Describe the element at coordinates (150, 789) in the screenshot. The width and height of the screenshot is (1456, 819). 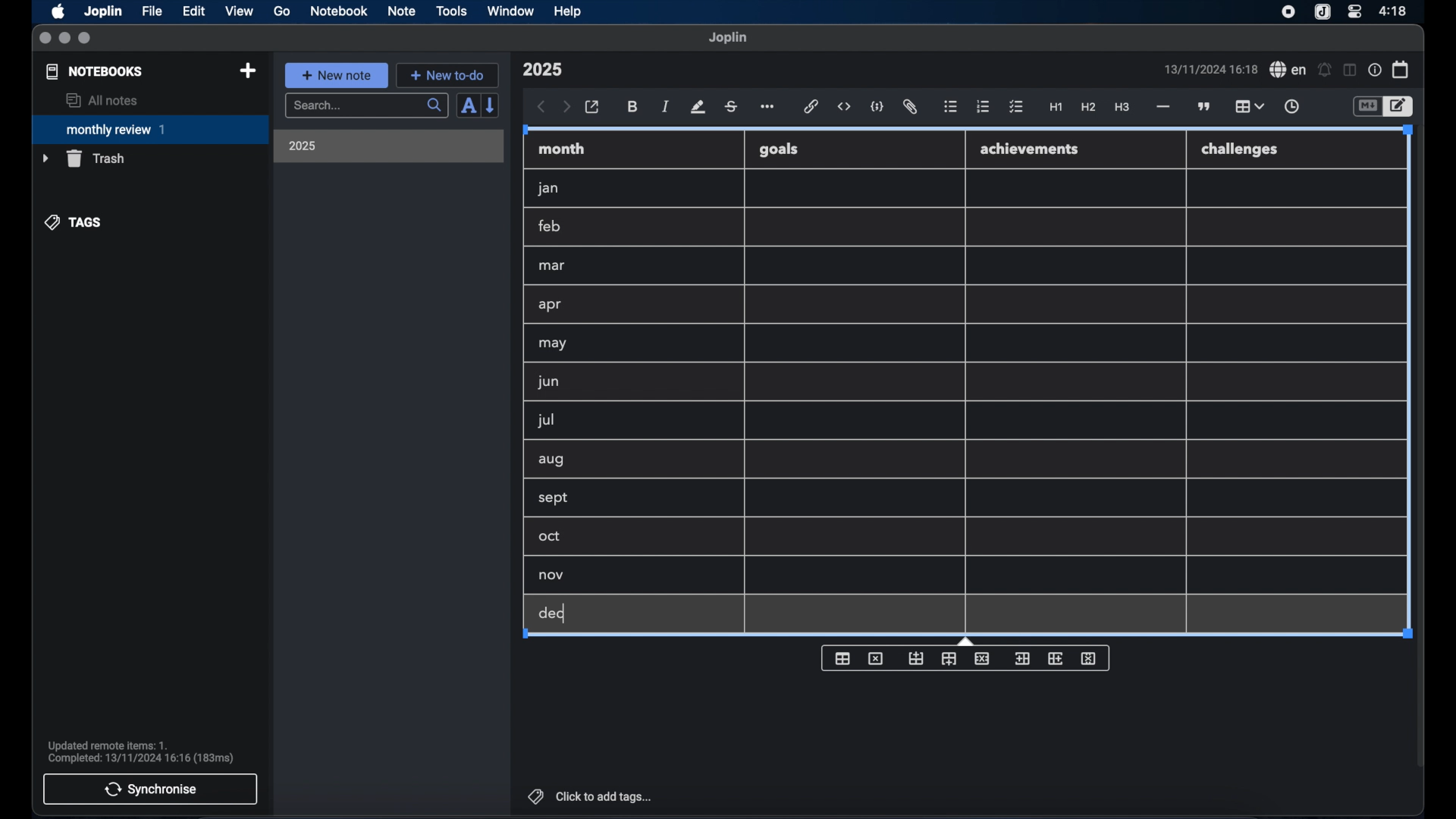
I see `synchronise` at that location.